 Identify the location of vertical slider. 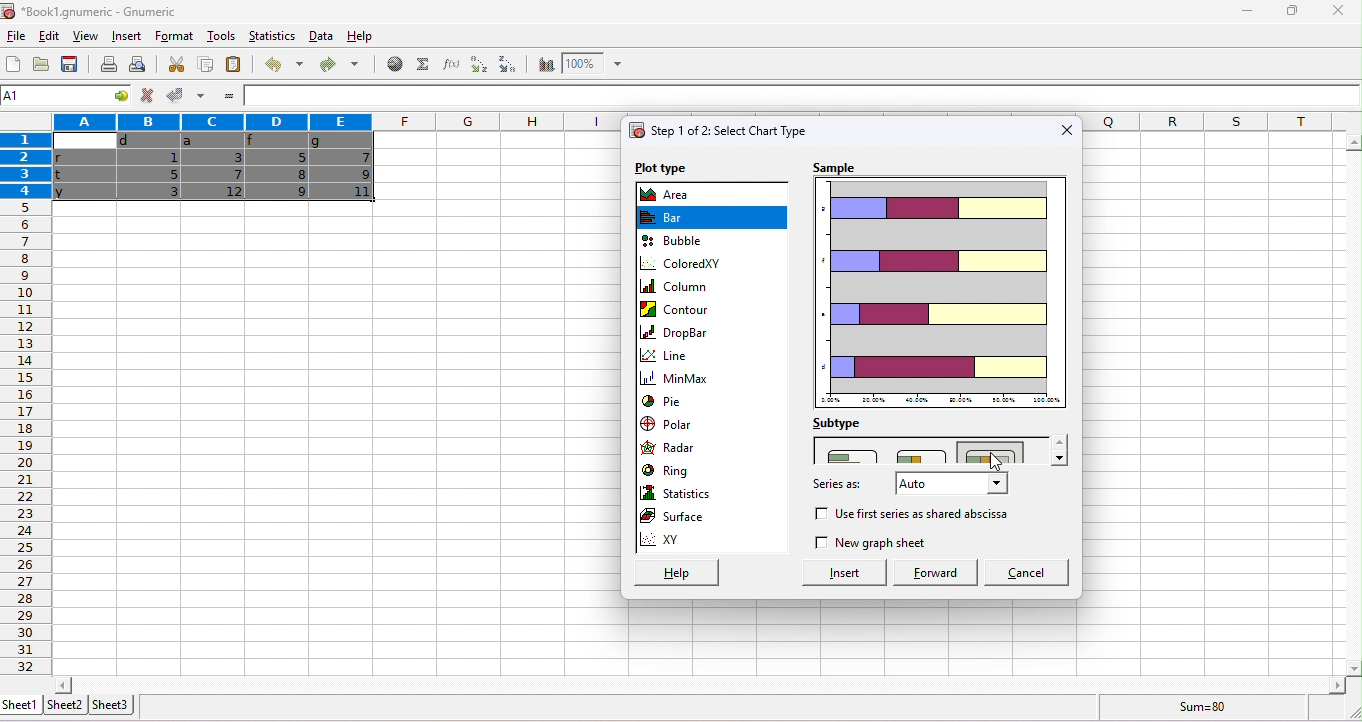
(1353, 403).